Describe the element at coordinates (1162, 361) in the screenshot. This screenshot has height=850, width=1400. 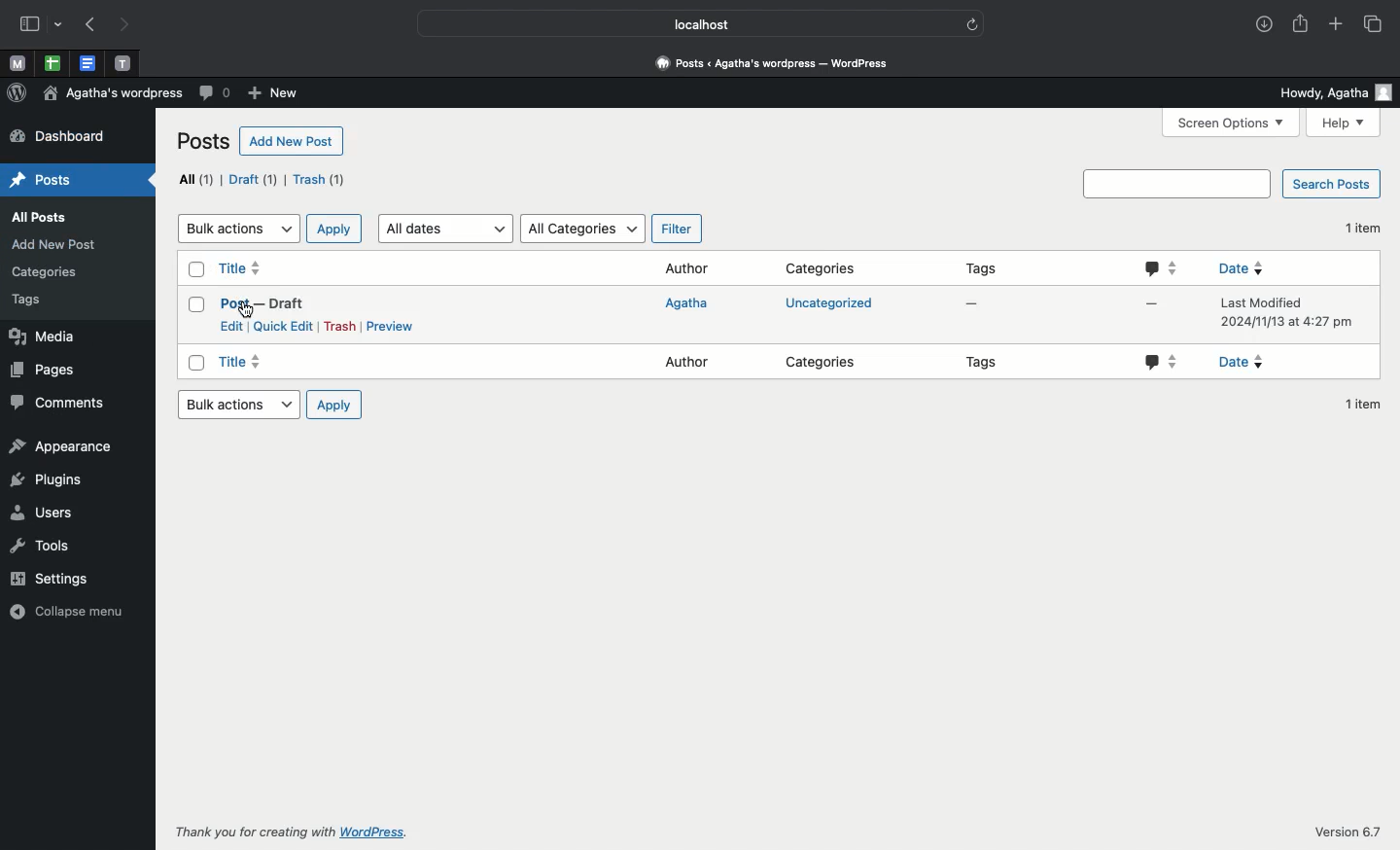
I see `Comment` at that location.